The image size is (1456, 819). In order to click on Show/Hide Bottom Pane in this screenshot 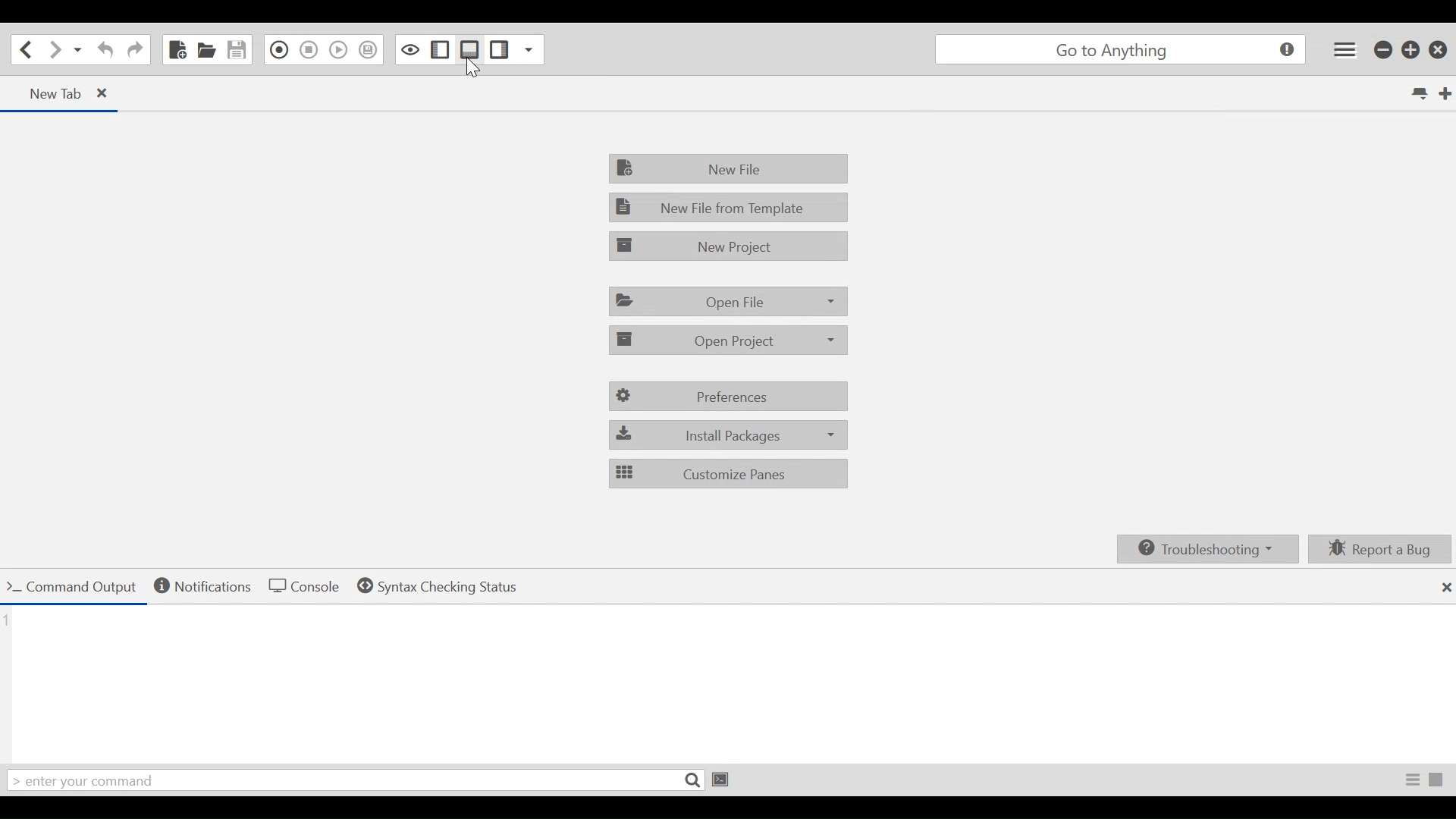, I will do `click(471, 50)`.